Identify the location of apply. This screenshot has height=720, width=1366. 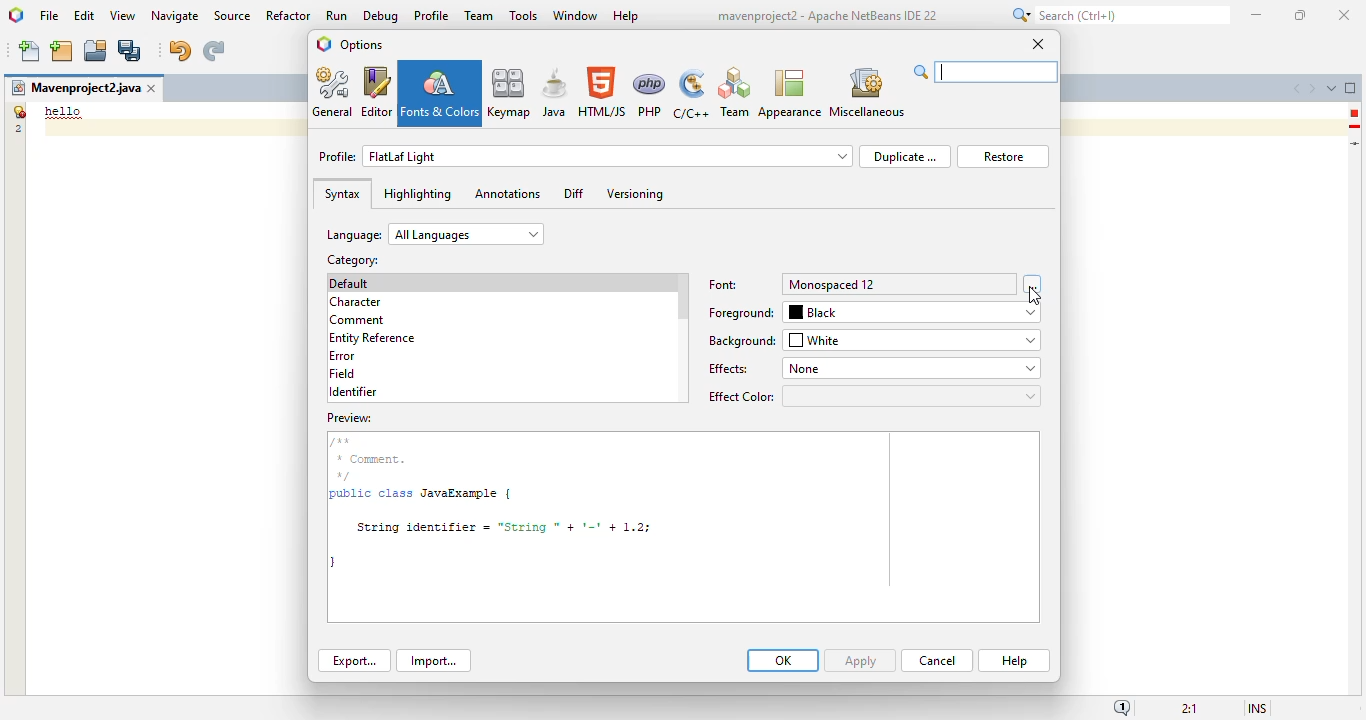
(860, 661).